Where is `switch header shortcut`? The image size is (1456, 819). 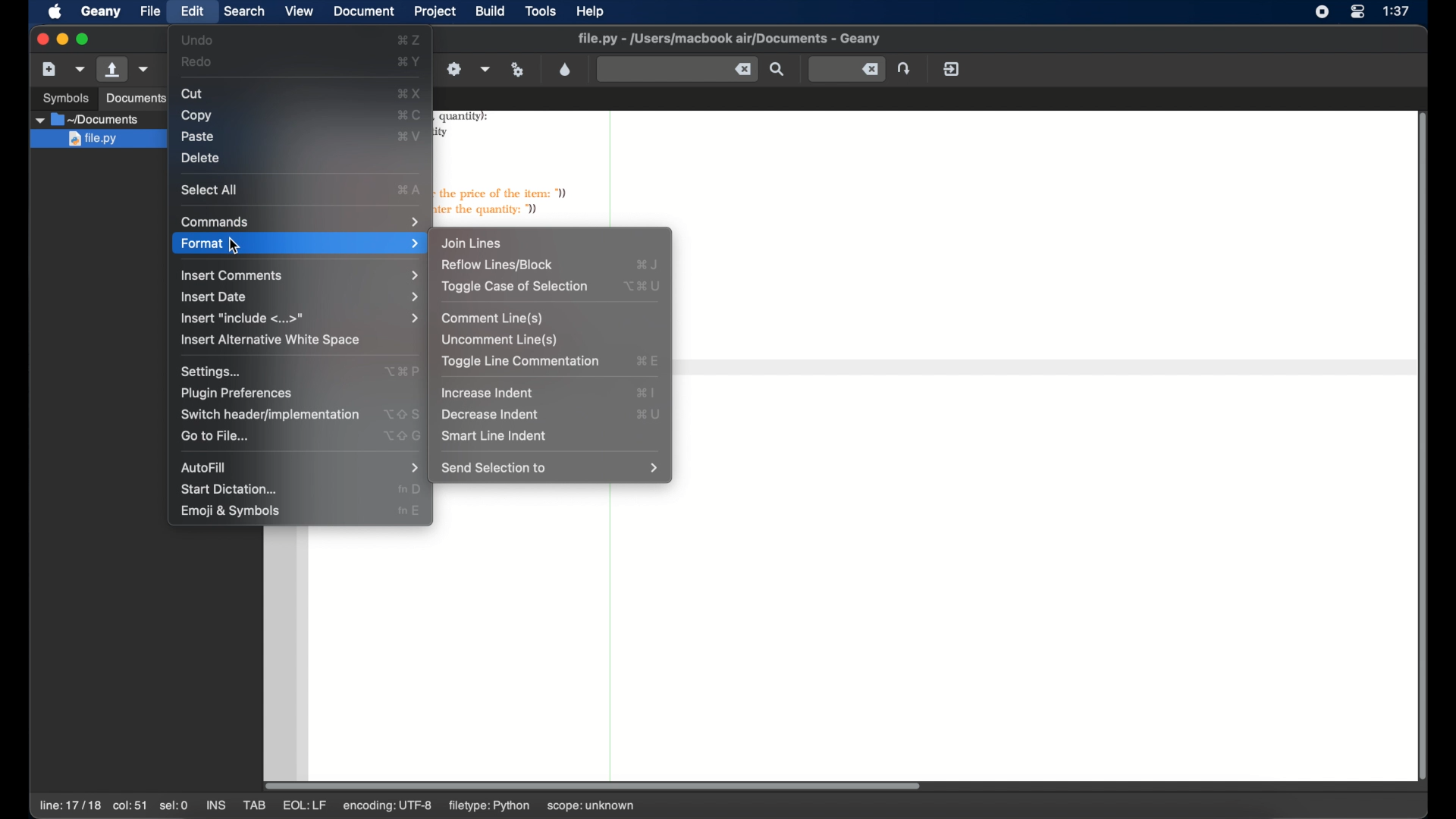 switch header shortcut is located at coordinates (402, 414).